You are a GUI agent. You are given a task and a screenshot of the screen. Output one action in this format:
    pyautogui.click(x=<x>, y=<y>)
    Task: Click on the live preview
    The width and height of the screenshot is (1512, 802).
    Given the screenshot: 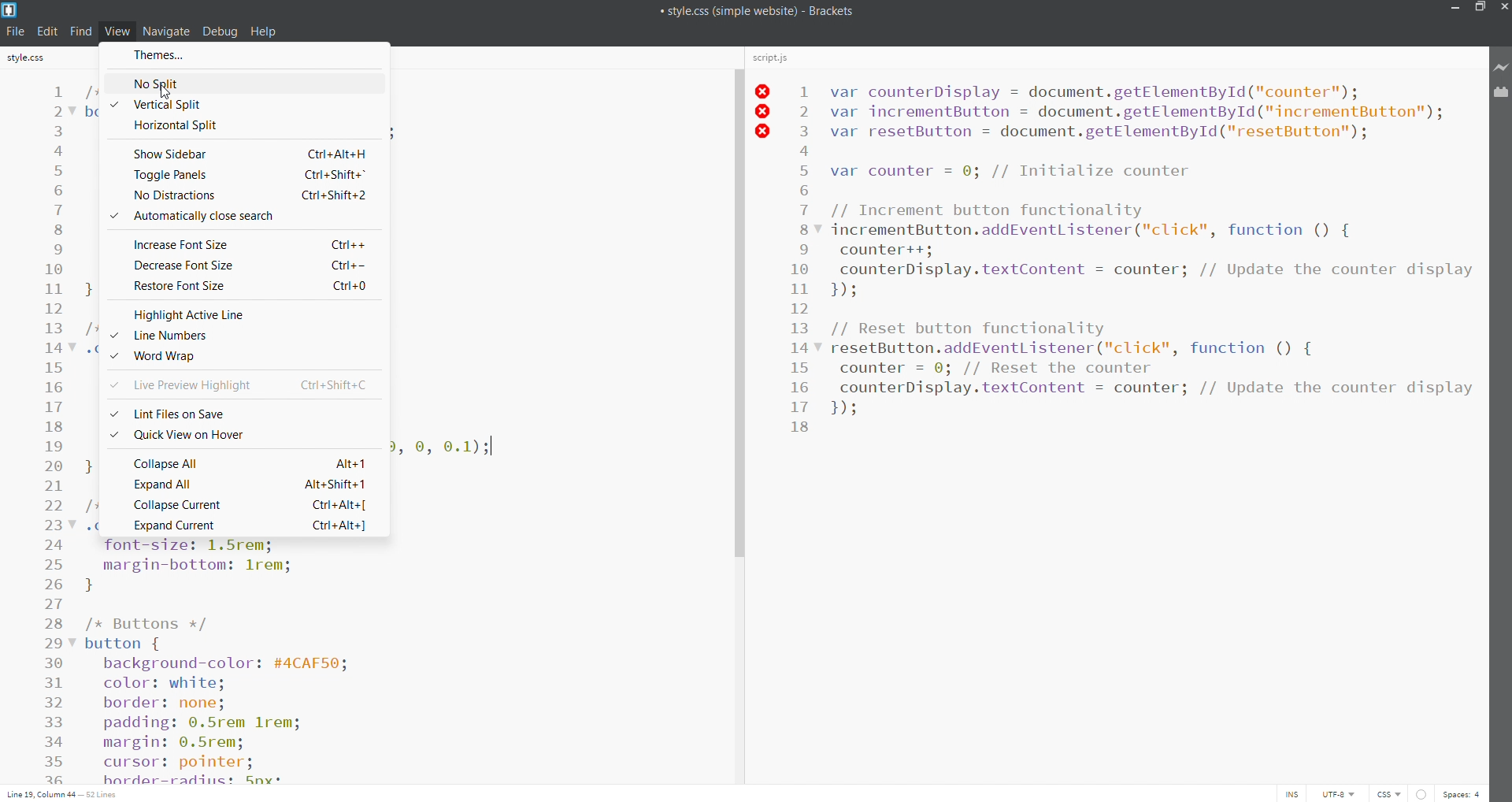 What is the action you would take?
    pyautogui.click(x=1502, y=68)
    